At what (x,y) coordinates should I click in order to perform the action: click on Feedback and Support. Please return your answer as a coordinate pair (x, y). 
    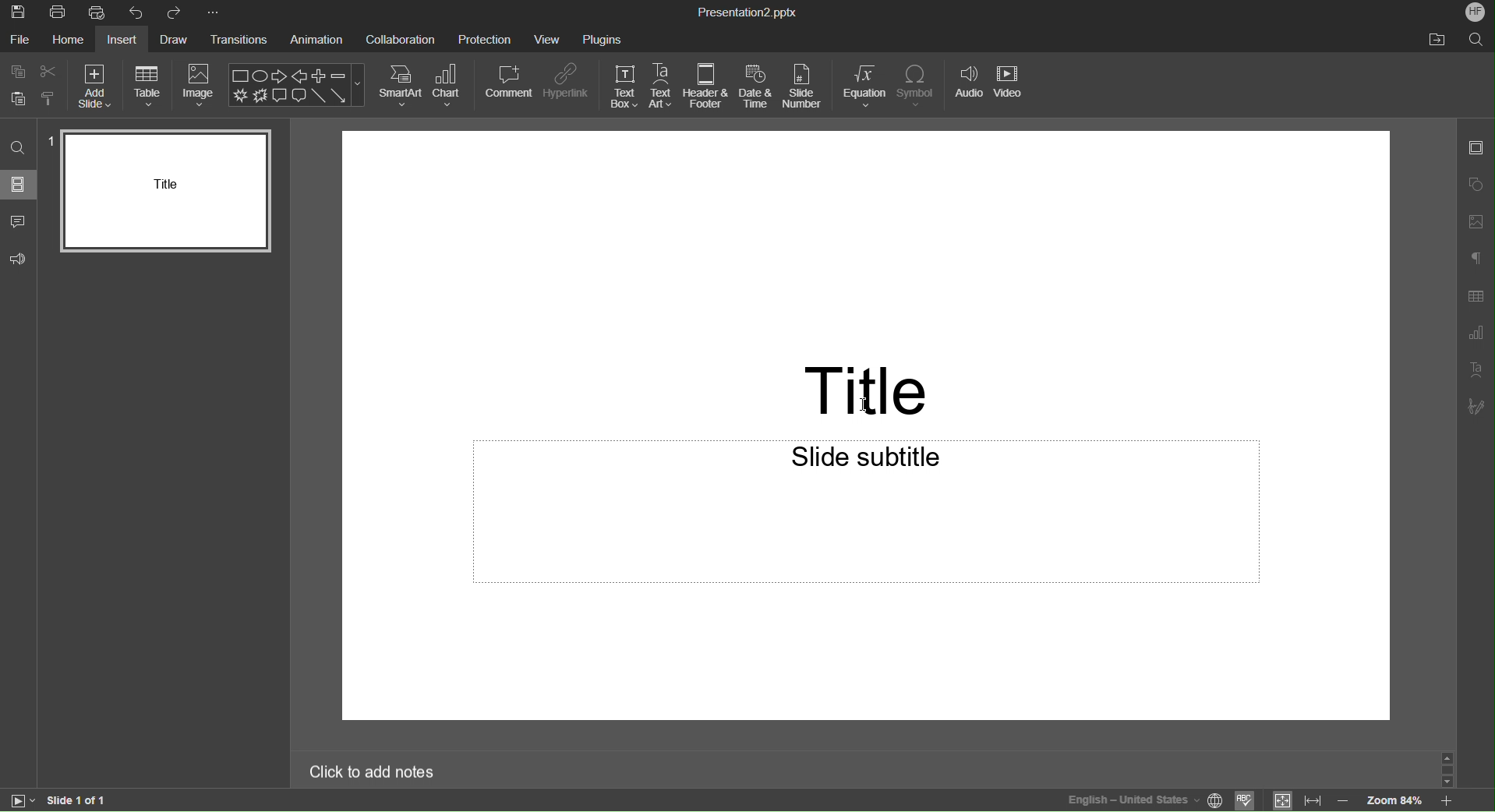
    Looking at the image, I should click on (19, 259).